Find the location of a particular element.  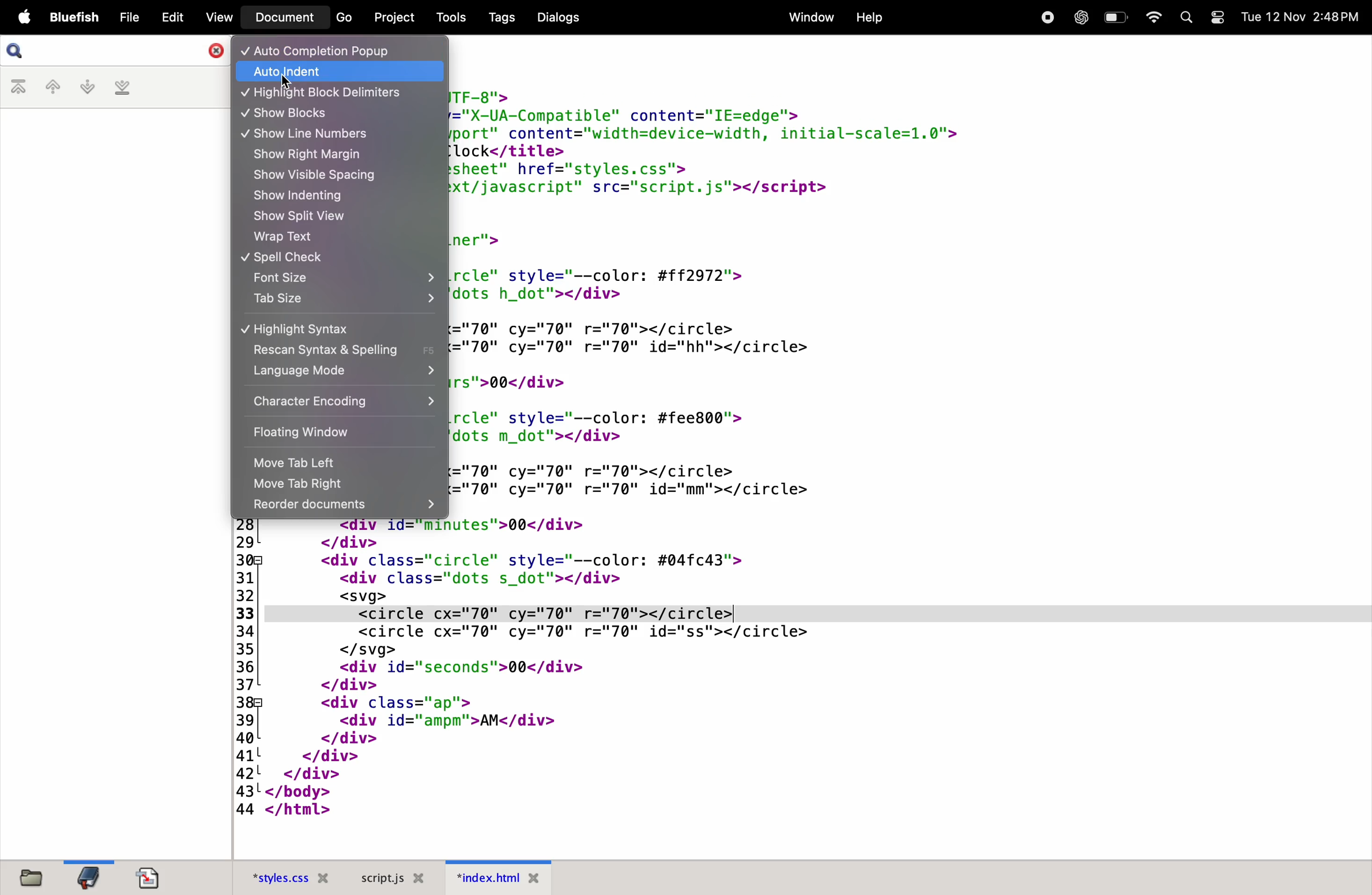

HTML code for a digital clock interface with animated circles showing the current time. is located at coordinates (578, 675).